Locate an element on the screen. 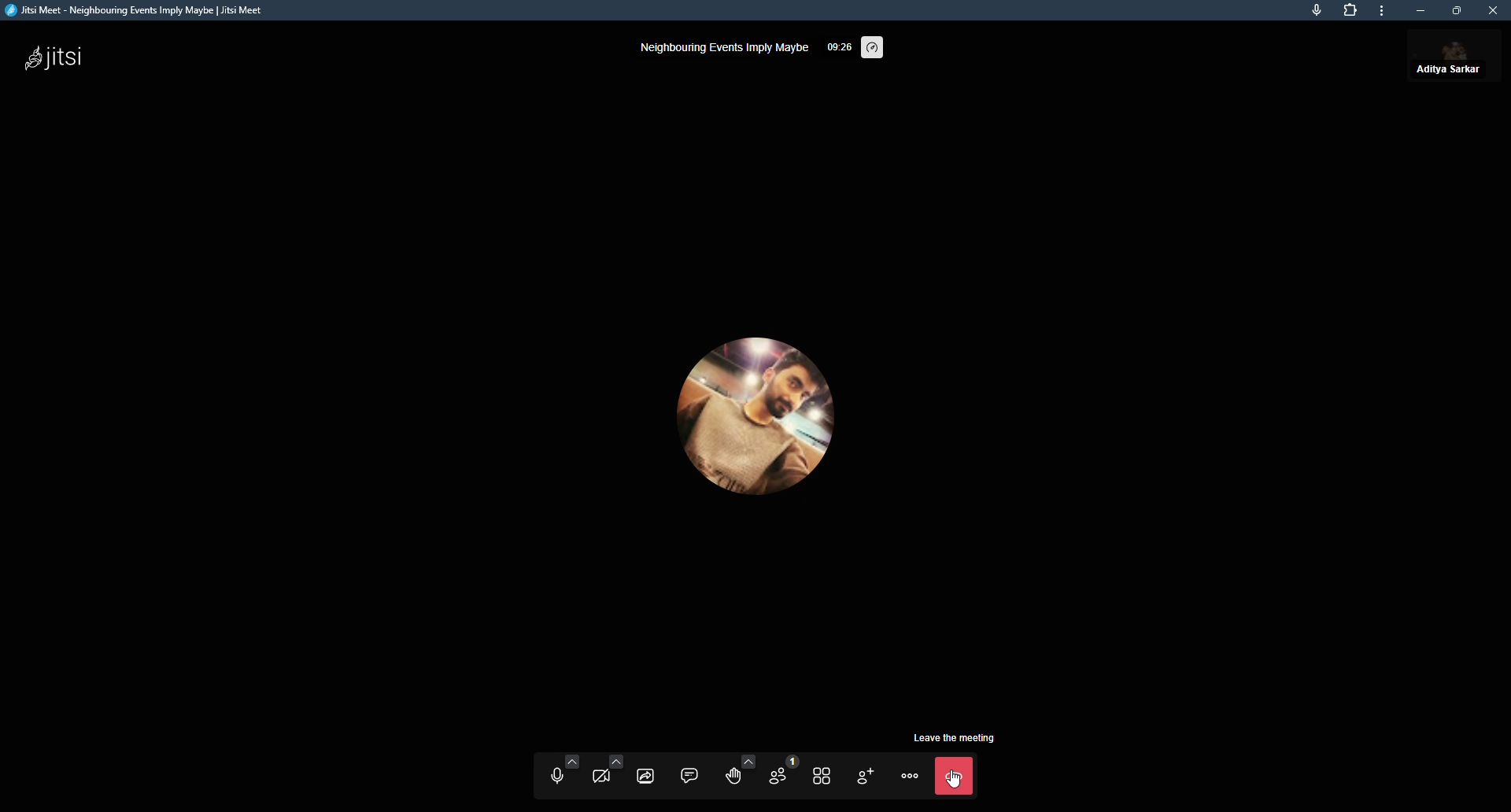 The image size is (1511, 812). performance settings is located at coordinates (878, 48).